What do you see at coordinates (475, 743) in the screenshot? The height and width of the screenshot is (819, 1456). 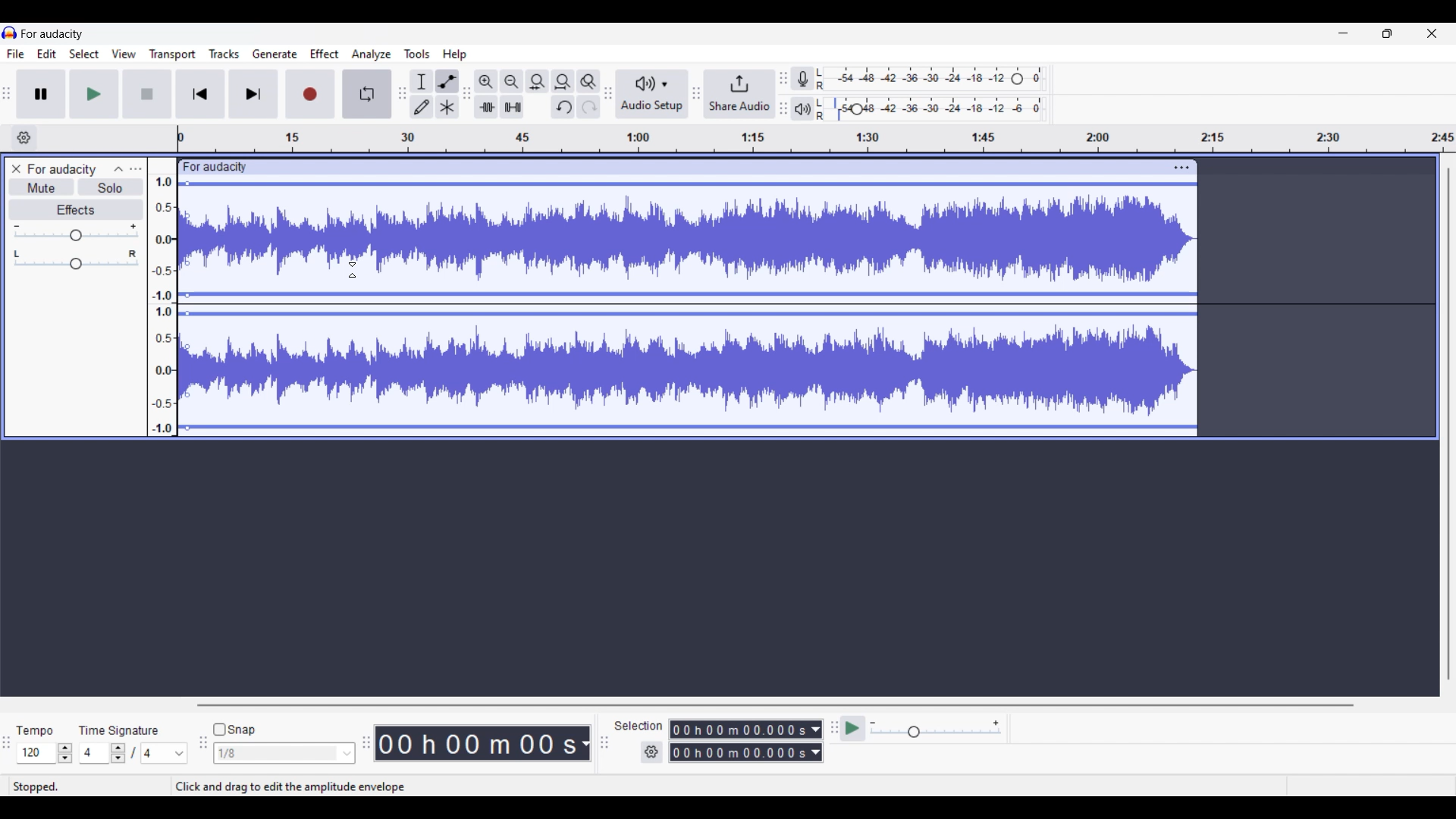 I see `Current duration` at bounding box center [475, 743].